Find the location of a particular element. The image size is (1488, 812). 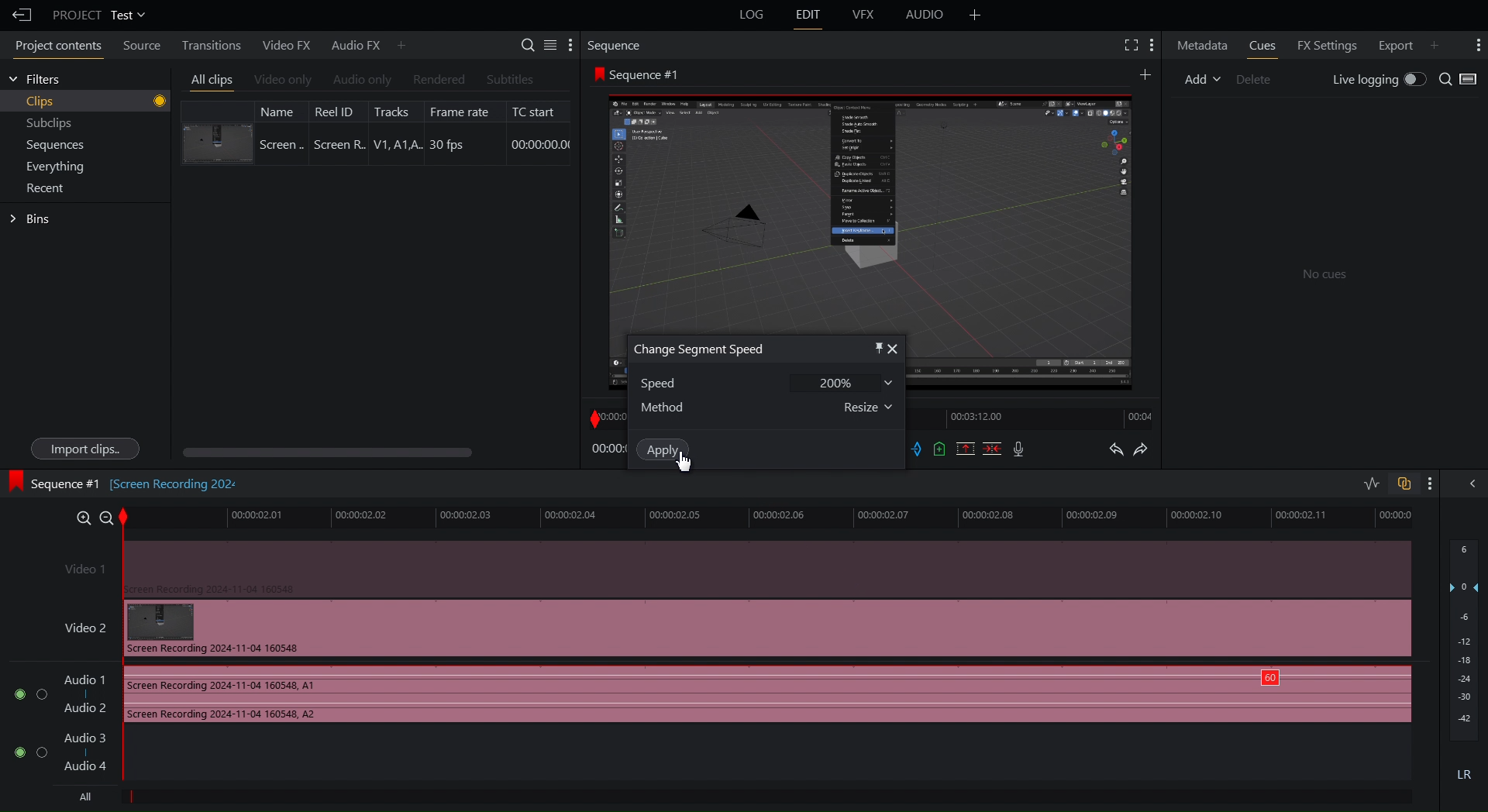

Collapse is located at coordinates (1469, 483).